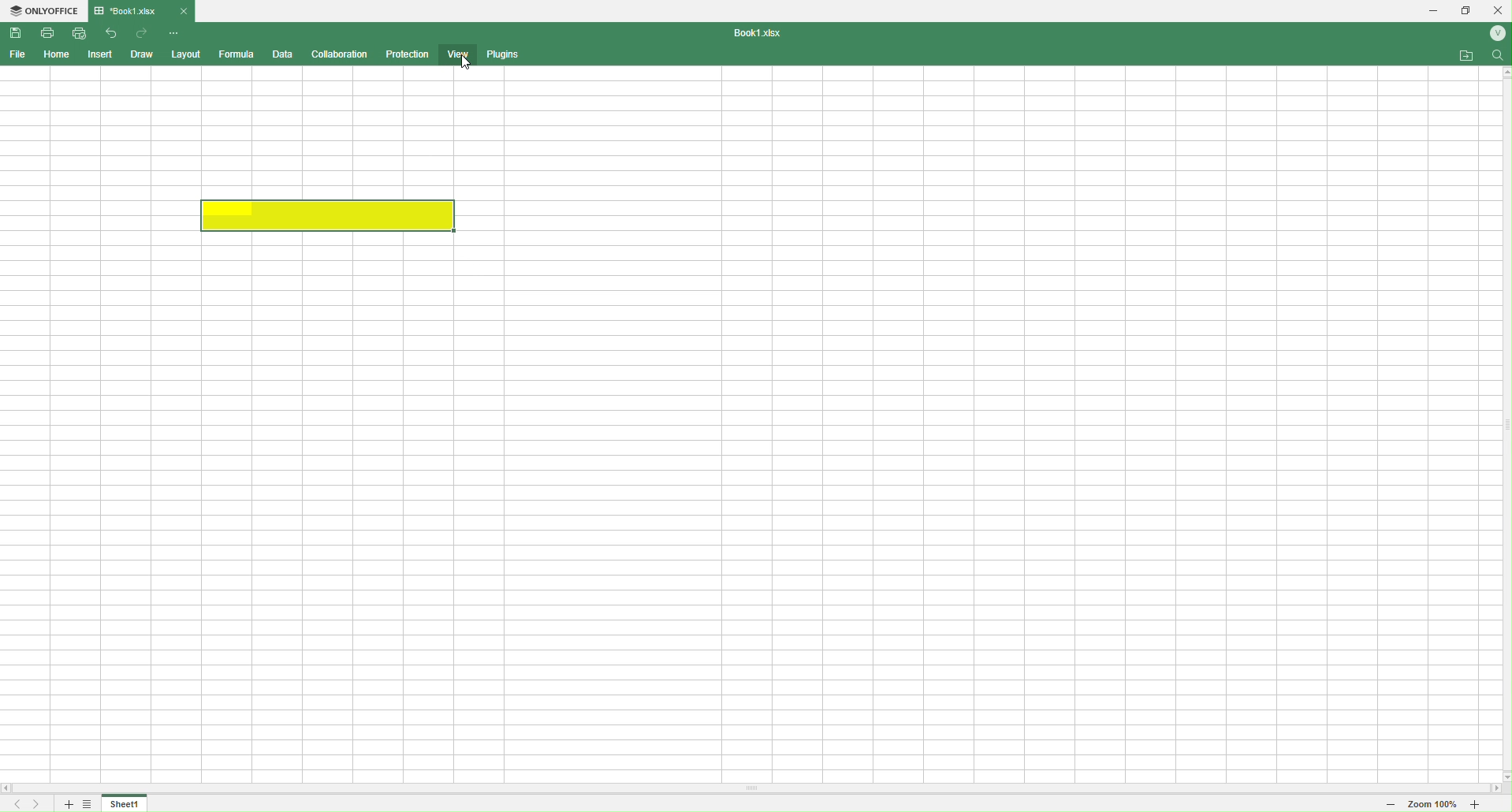 This screenshot has height=812, width=1512. I want to click on Zoom out, so click(1384, 805).